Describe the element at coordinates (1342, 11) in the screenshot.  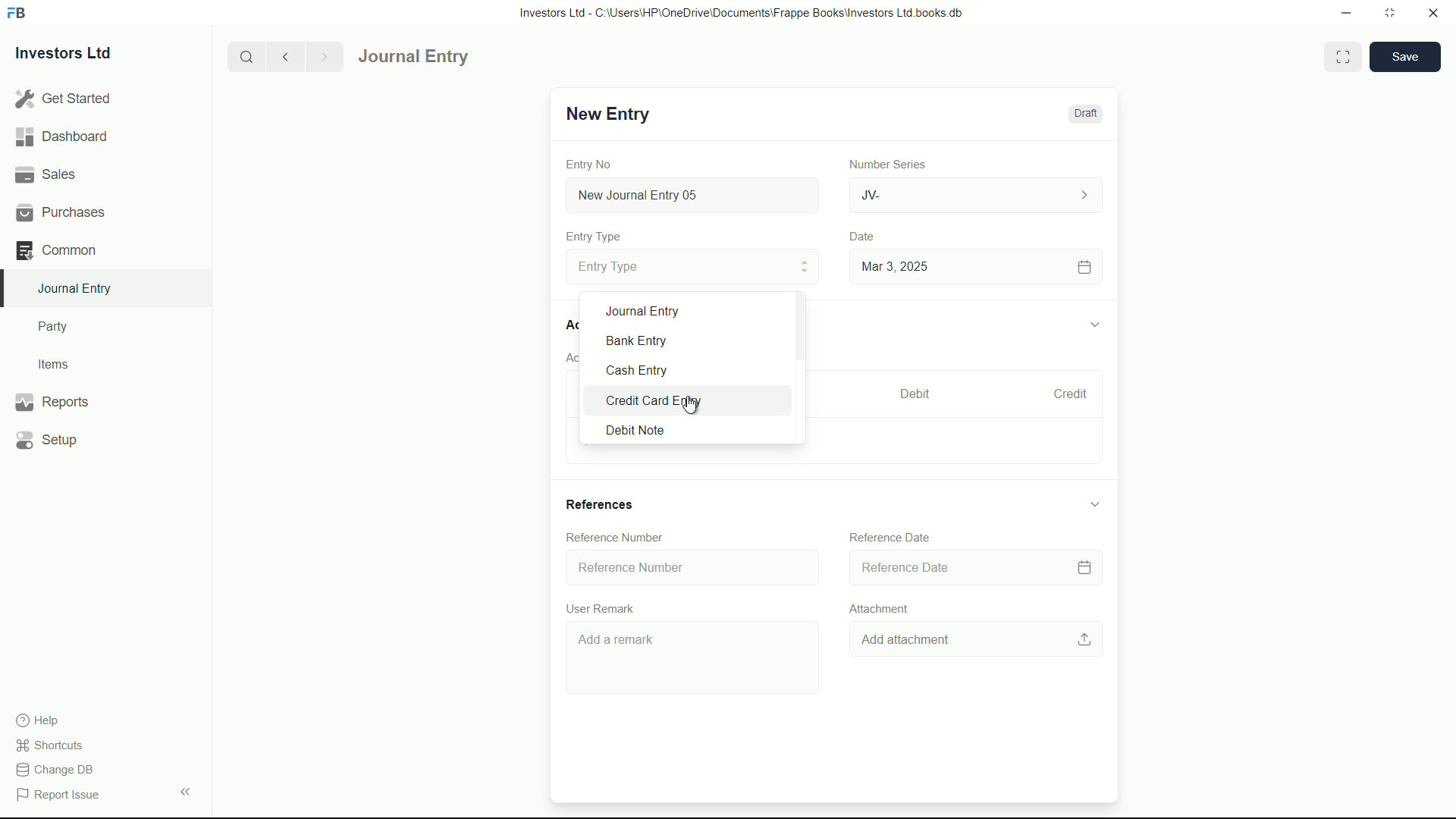
I see `minimize` at that location.